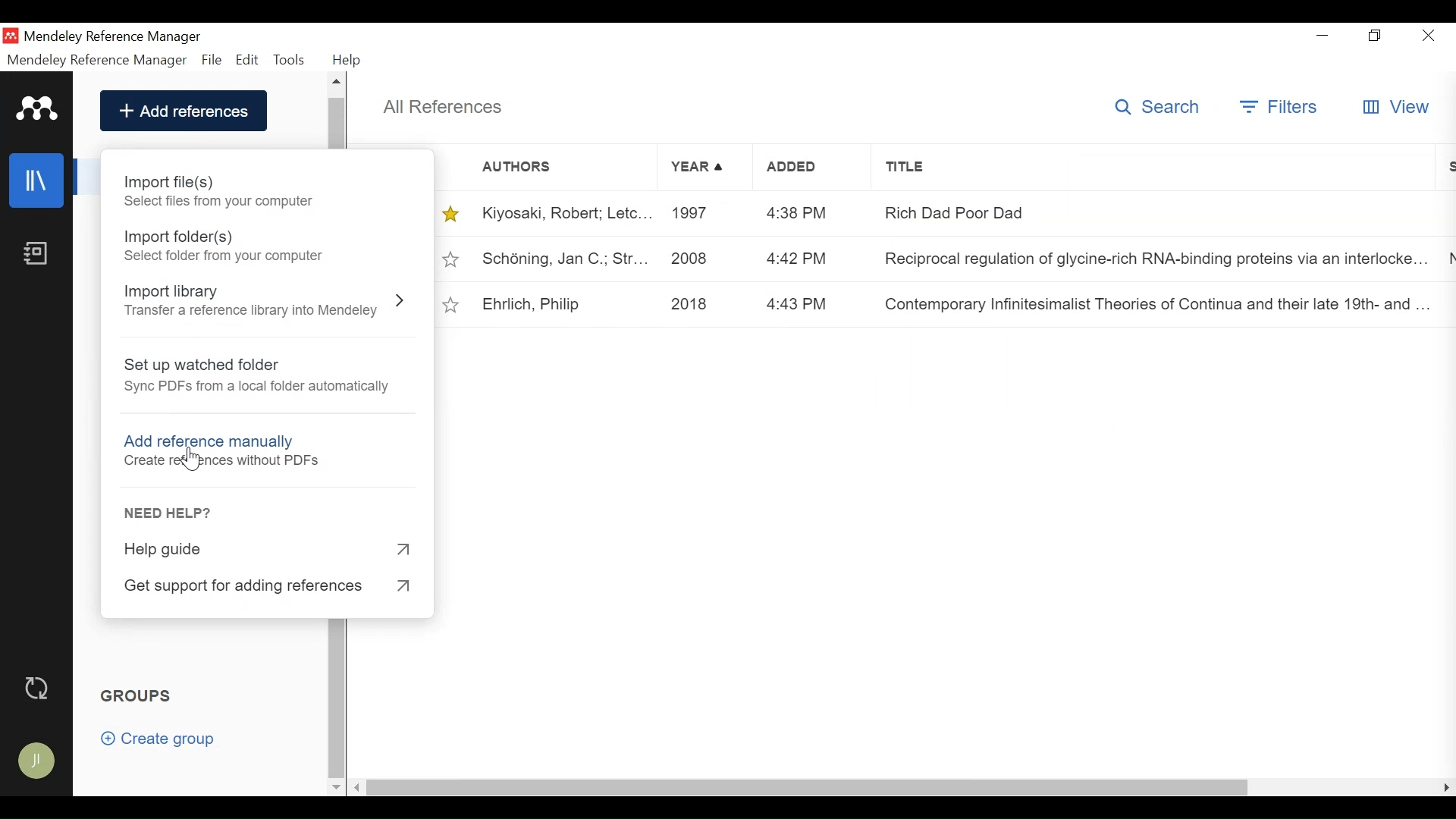 This screenshot has height=819, width=1456. What do you see at coordinates (186, 236) in the screenshot?
I see `Import Folder` at bounding box center [186, 236].